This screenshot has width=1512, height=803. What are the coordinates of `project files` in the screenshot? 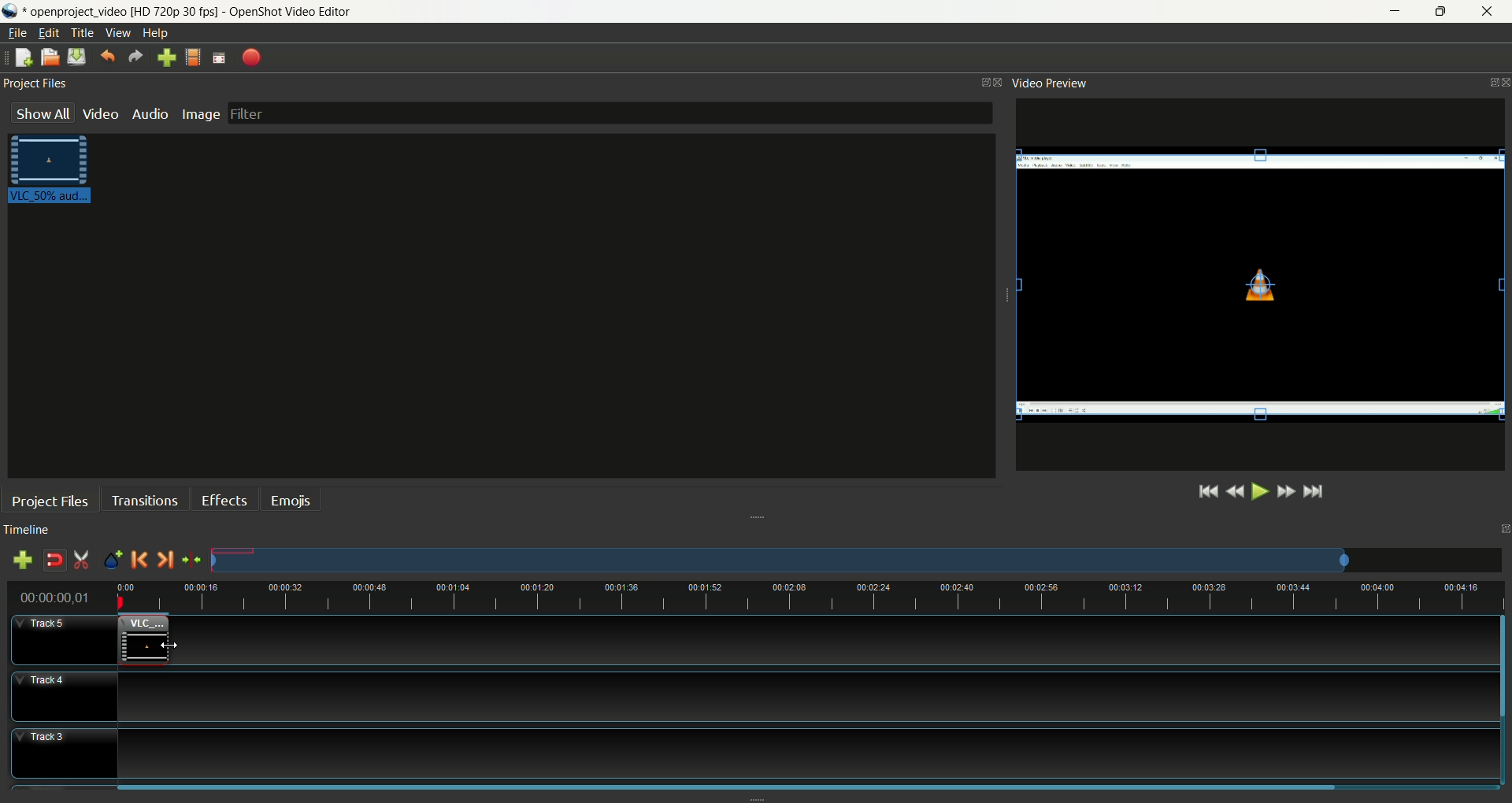 It's located at (50, 500).